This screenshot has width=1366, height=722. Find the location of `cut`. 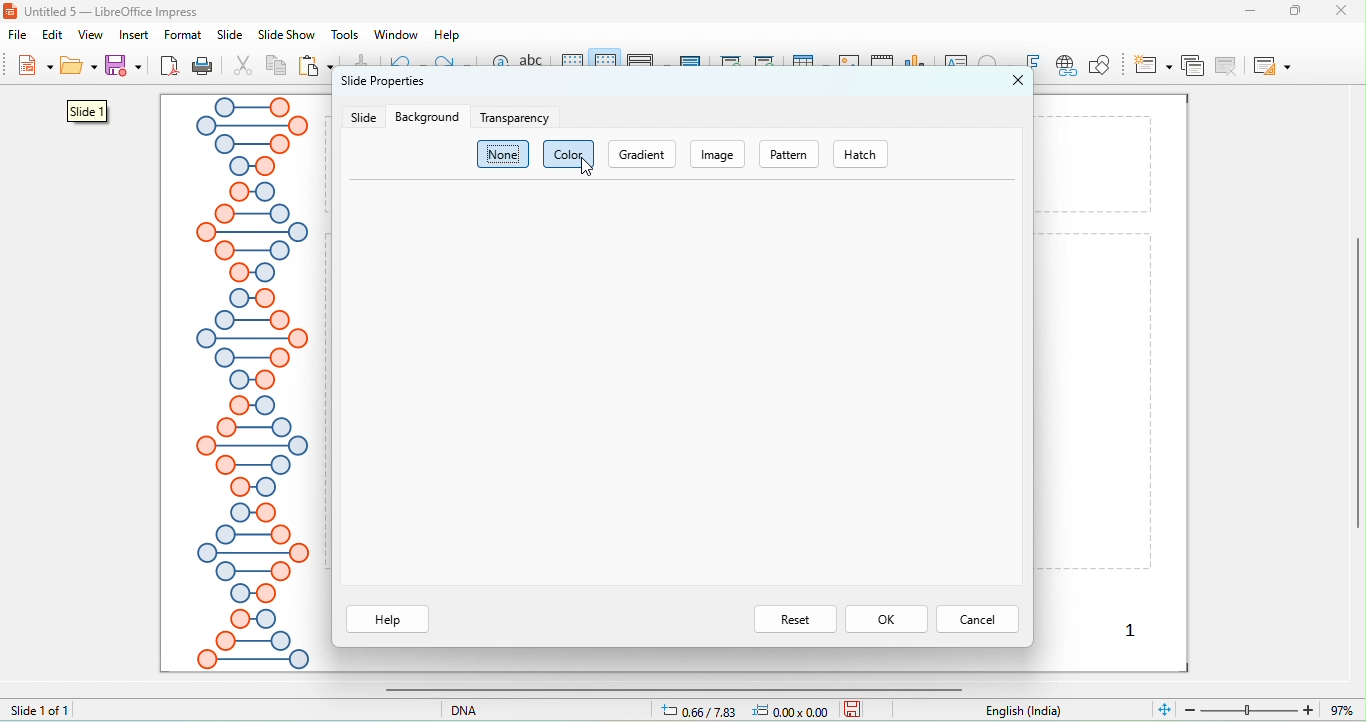

cut is located at coordinates (244, 67).